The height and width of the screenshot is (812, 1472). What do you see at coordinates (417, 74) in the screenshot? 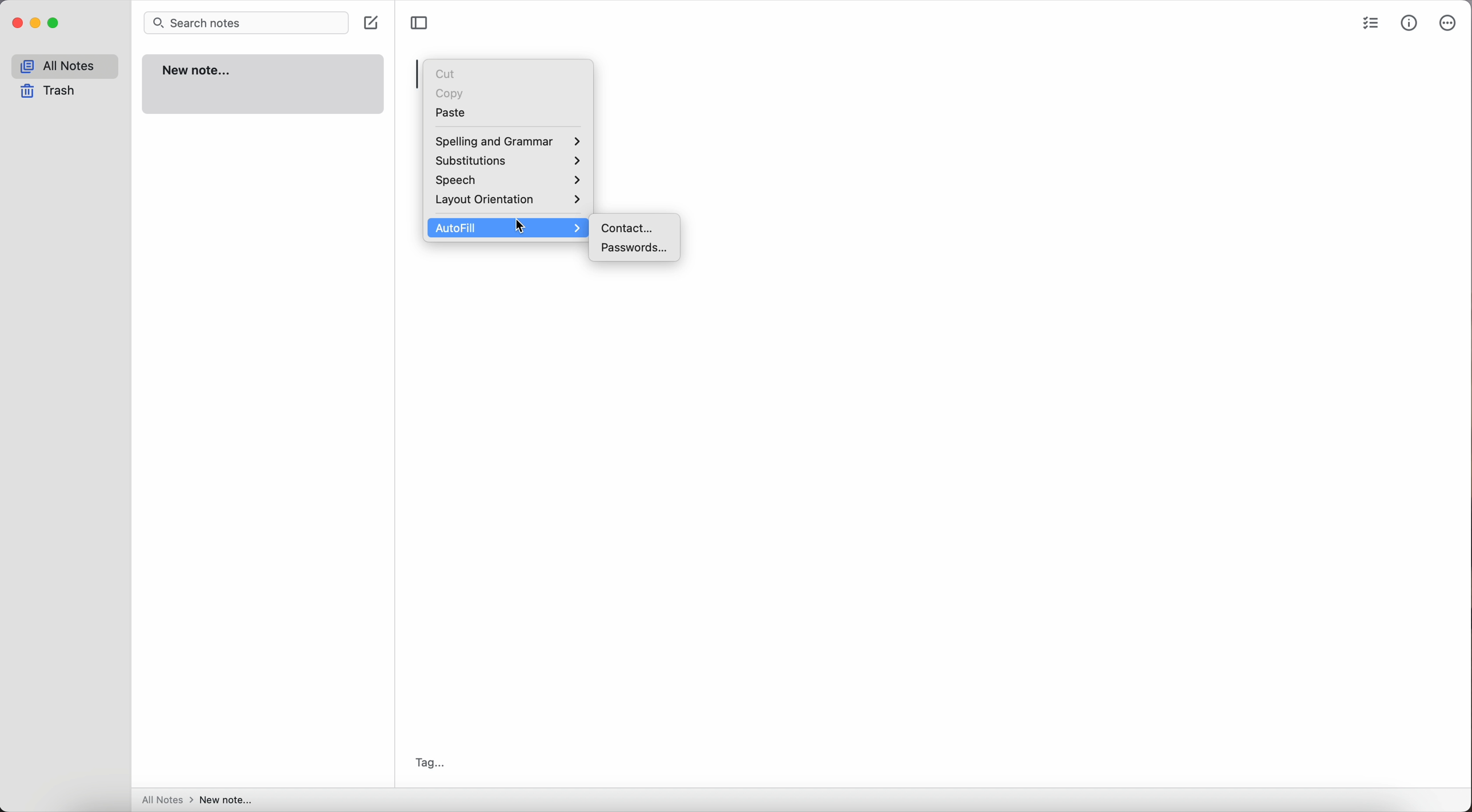
I see `space bar` at bounding box center [417, 74].